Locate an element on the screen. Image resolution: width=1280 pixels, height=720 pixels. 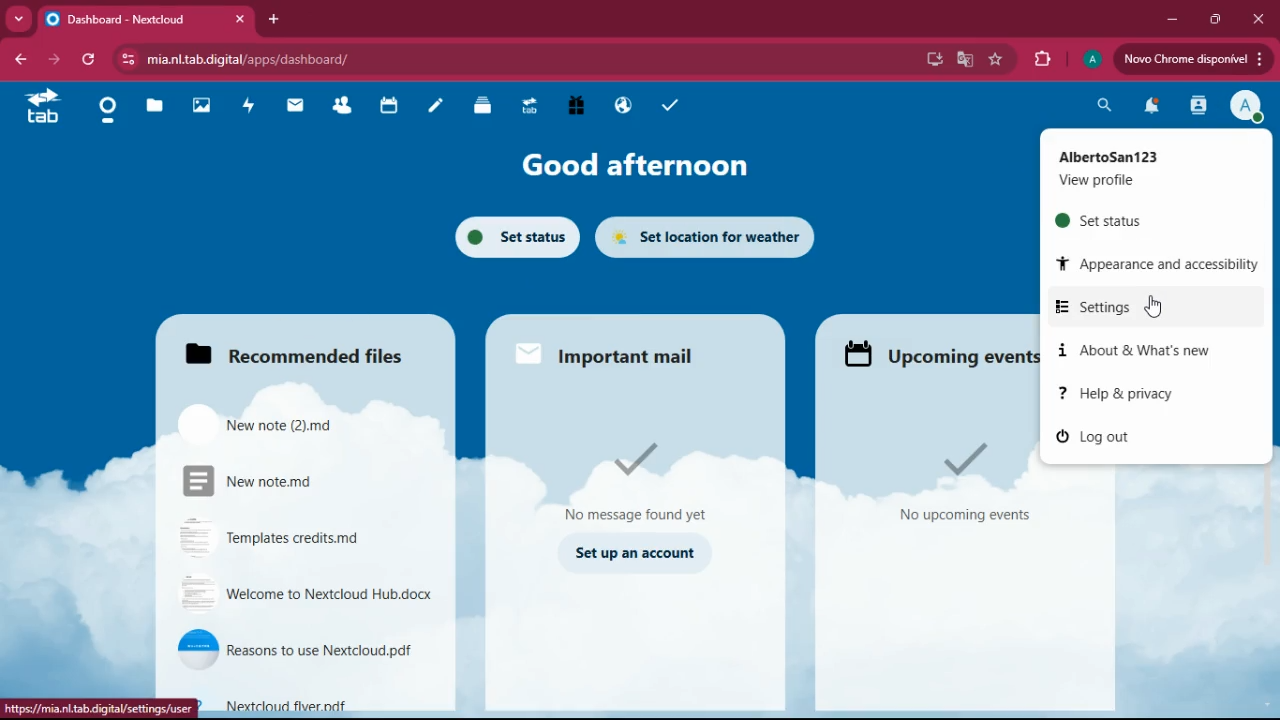
settings is located at coordinates (1144, 307).